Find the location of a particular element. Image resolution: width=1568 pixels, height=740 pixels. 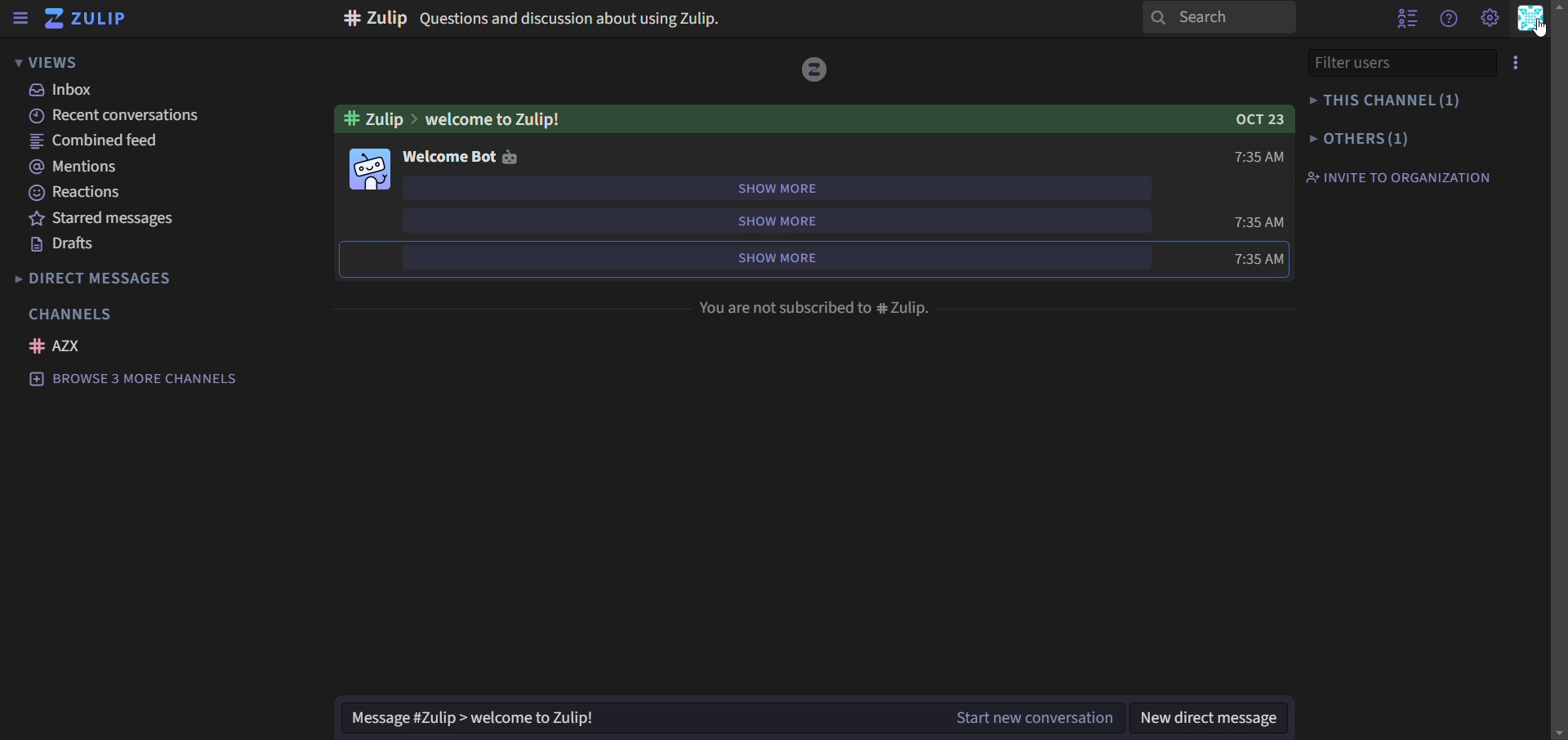

show more is located at coordinates (770, 188).